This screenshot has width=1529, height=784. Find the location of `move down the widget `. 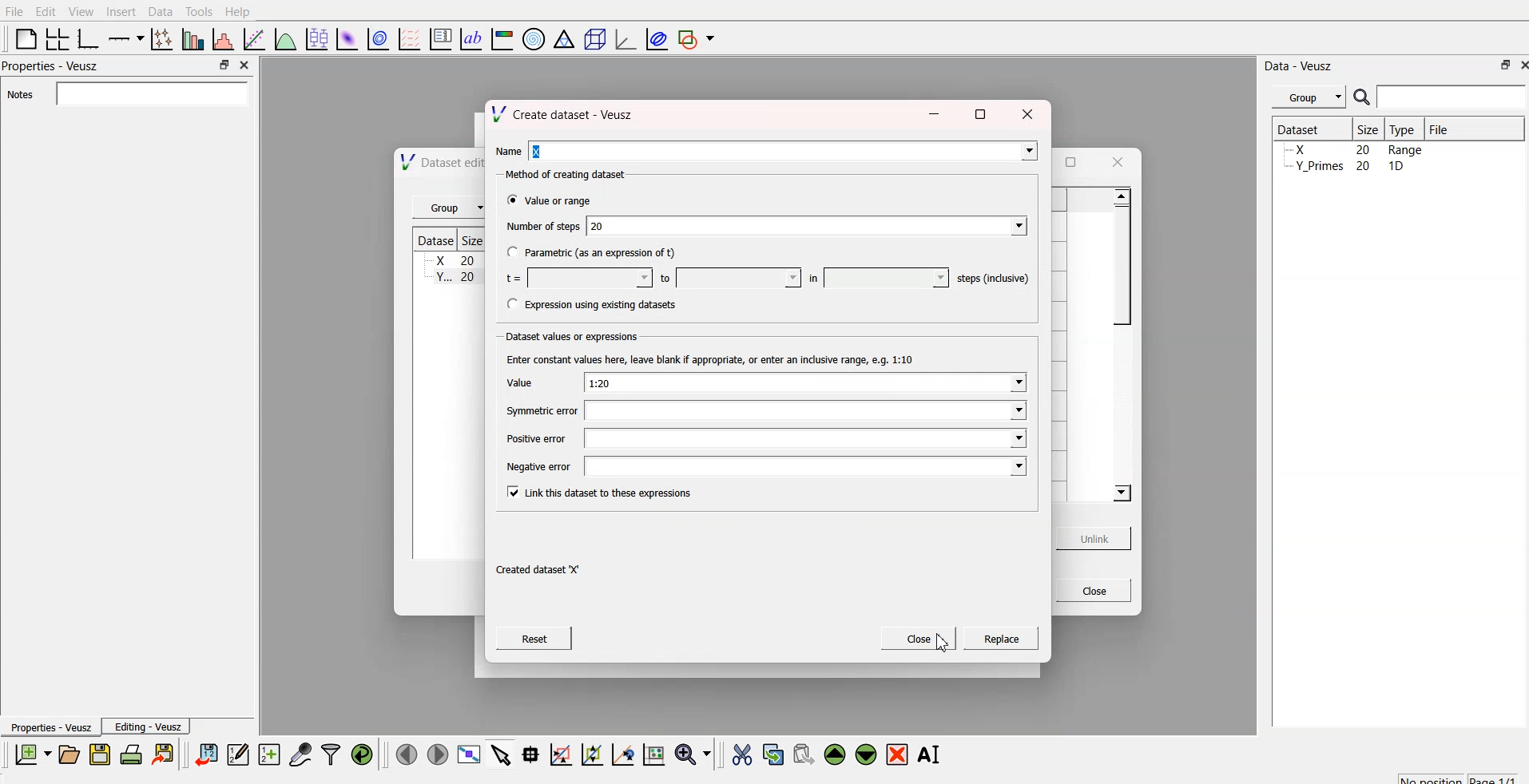

move down the widget  is located at coordinates (864, 754).